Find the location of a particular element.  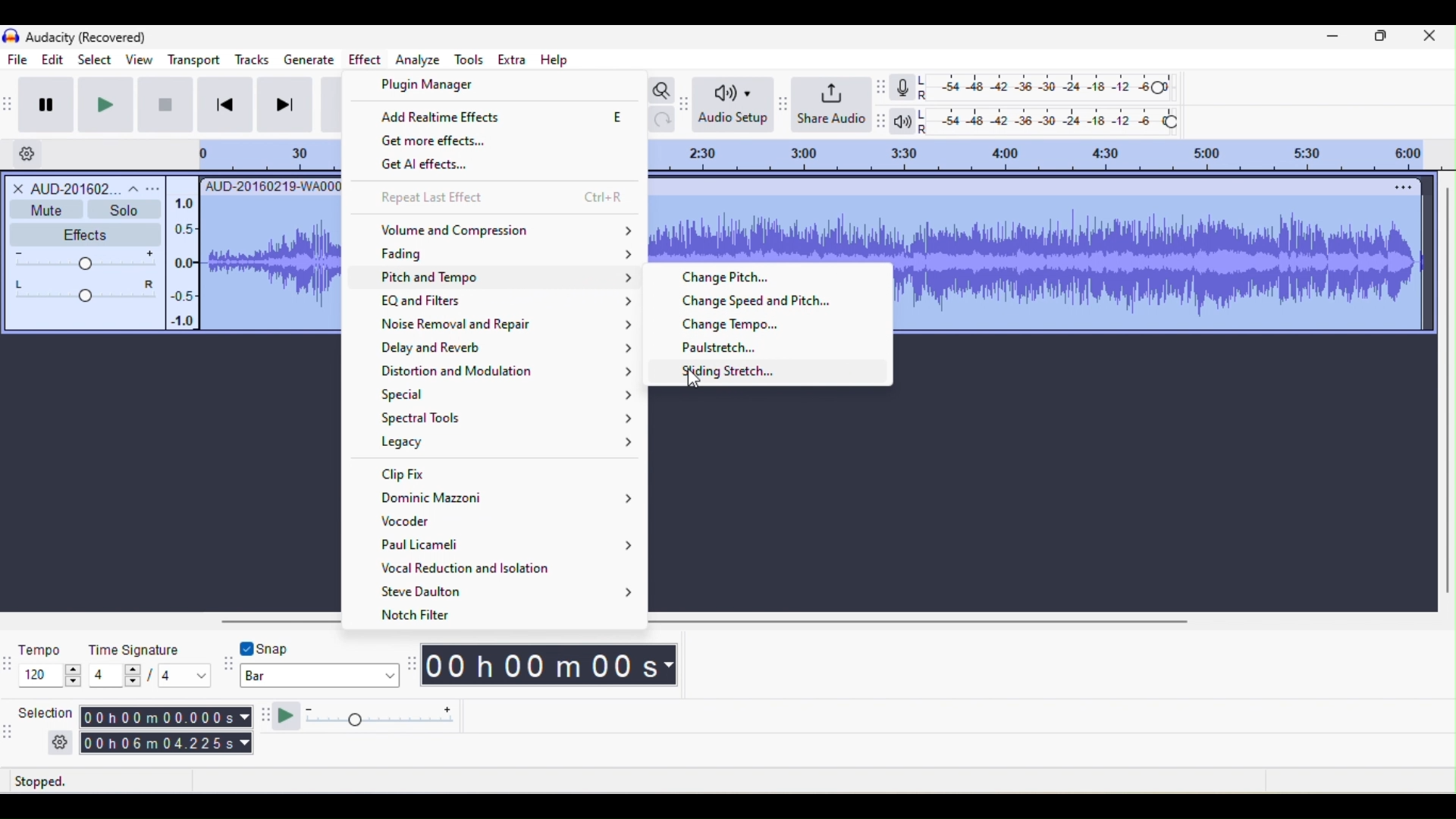

paulstretch is located at coordinates (720, 350).